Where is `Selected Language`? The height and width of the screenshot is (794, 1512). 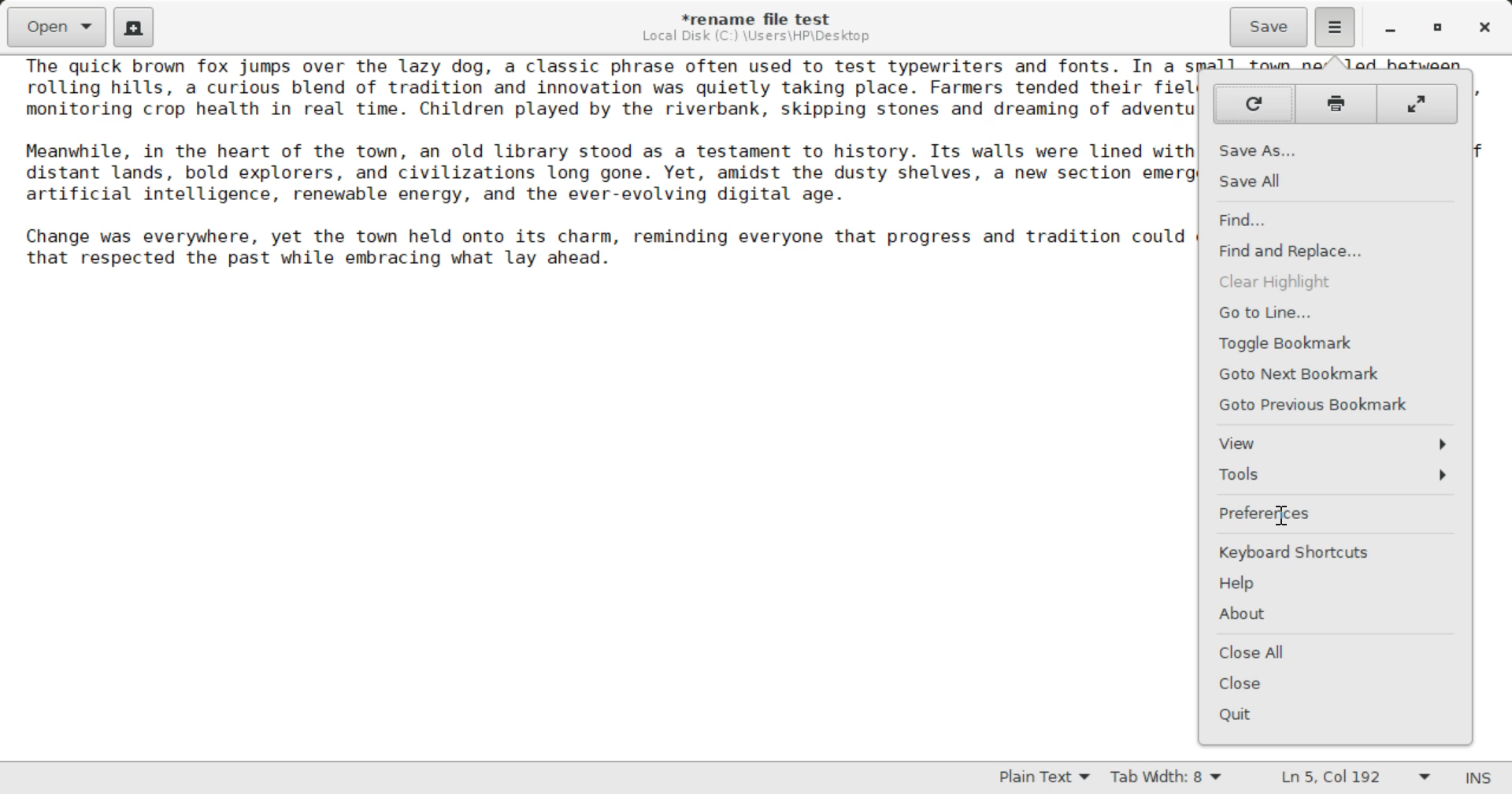 Selected Language is located at coordinates (1045, 779).